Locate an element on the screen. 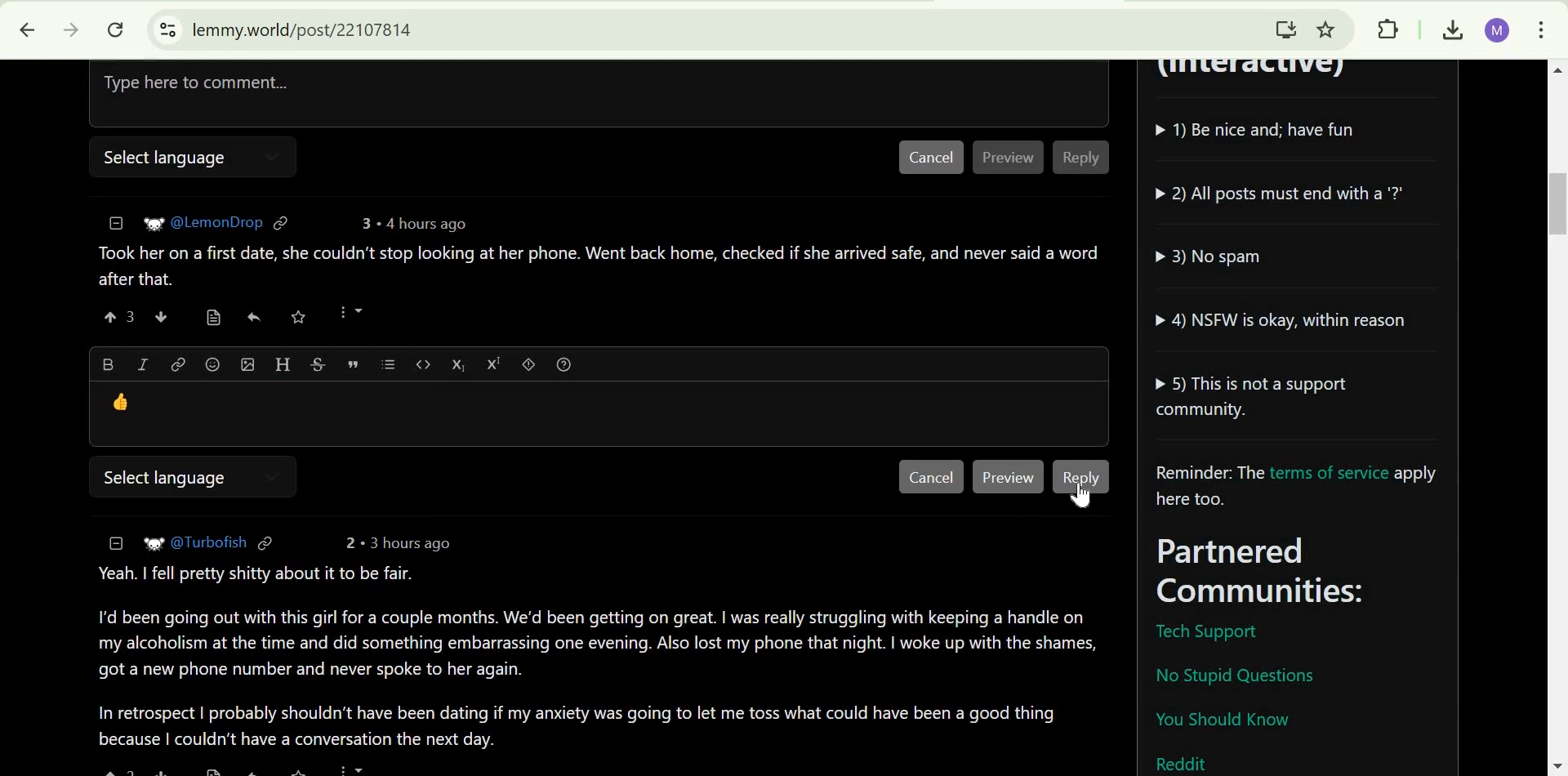 The height and width of the screenshot is (776, 1568). Superscript is located at coordinates (493, 363).